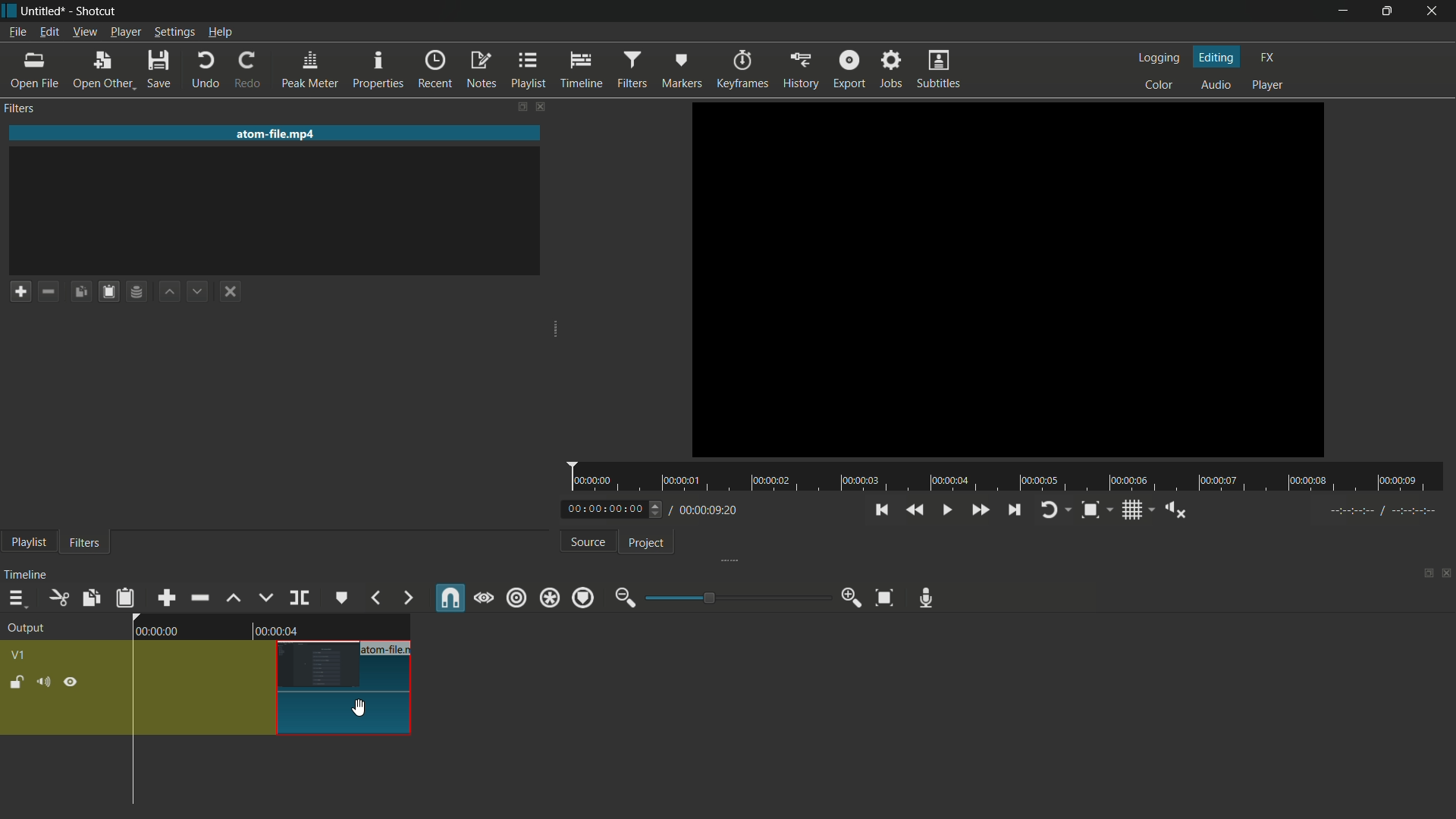 This screenshot has width=1456, height=819. What do you see at coordinates (136, 293) in the screenshot?
I see `save filter set` at bounding box center [136, 293].